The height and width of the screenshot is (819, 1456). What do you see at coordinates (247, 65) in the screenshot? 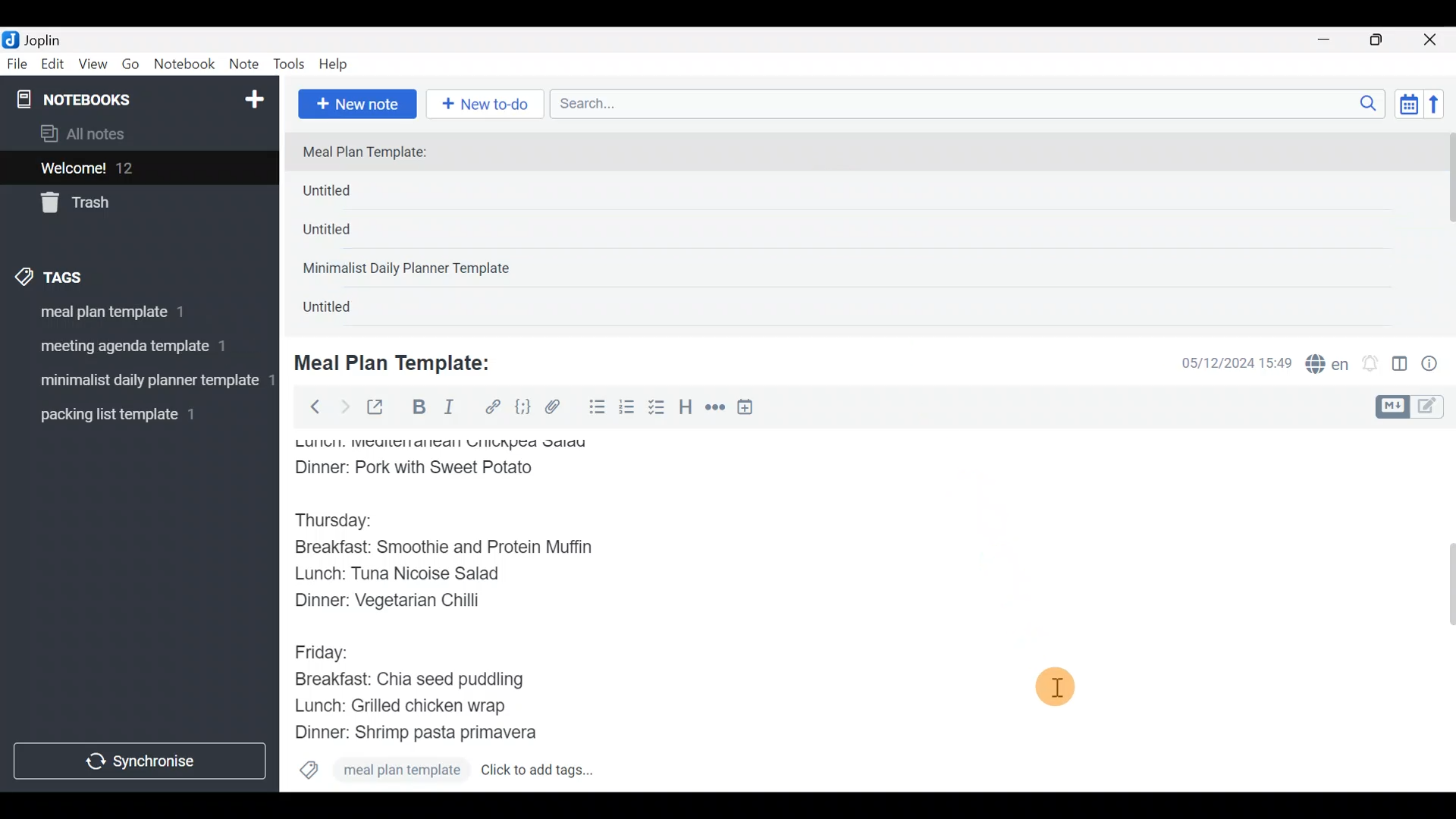
I see `Note` at bounding box center [247, 65].